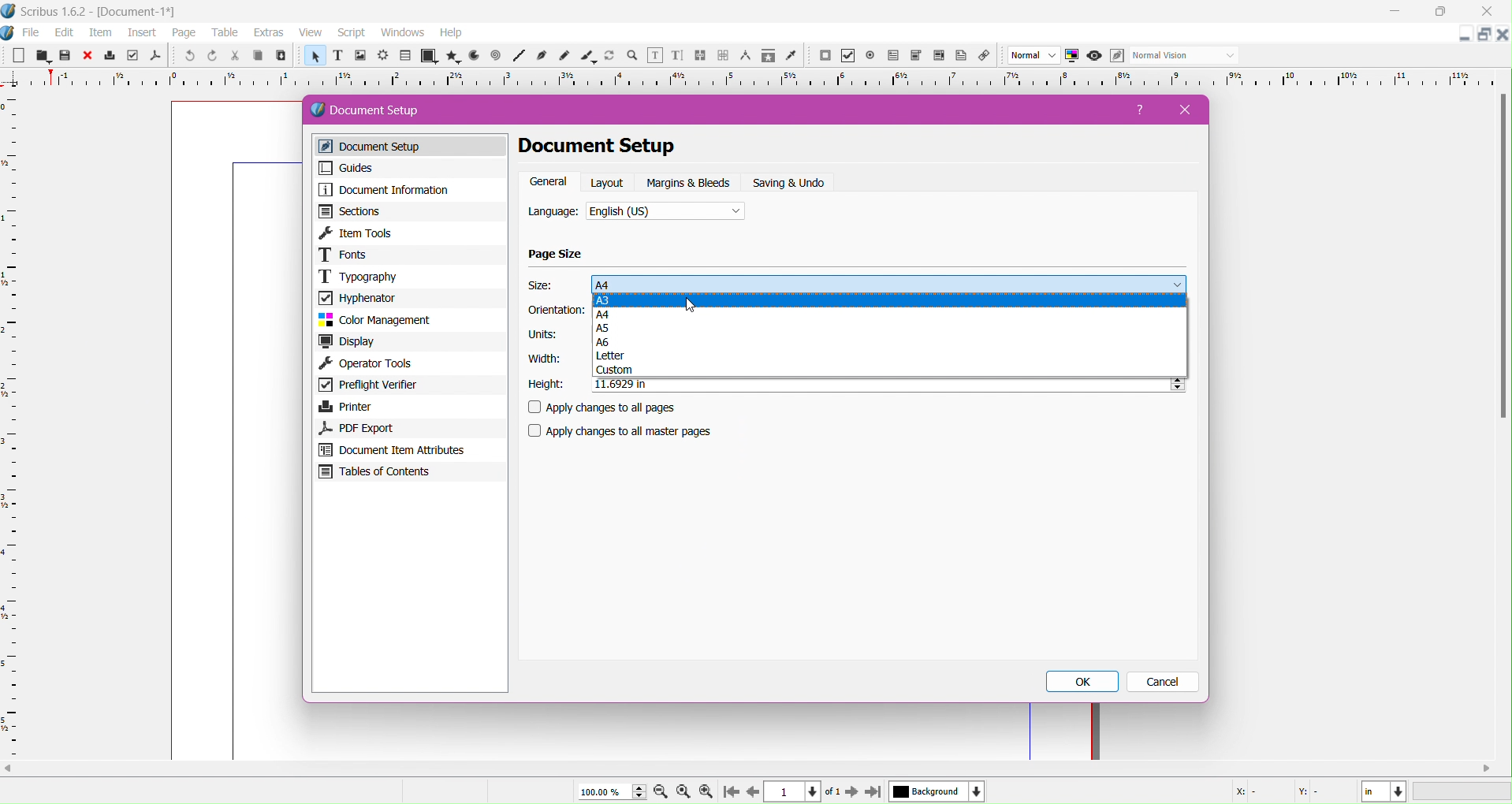  I want to click on A6, so click(890, 343).